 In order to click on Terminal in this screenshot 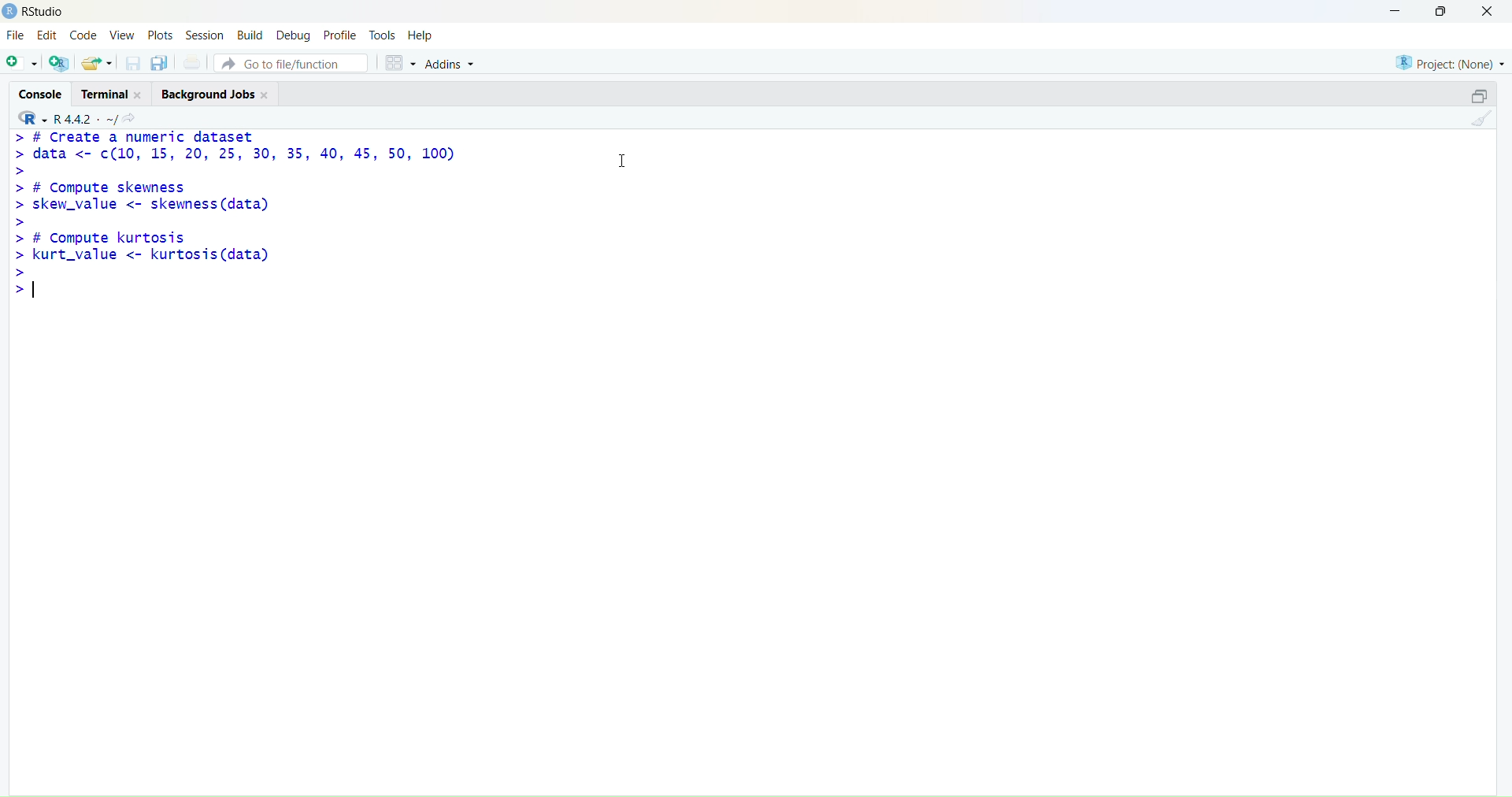, I will do `click(116, 93)`.